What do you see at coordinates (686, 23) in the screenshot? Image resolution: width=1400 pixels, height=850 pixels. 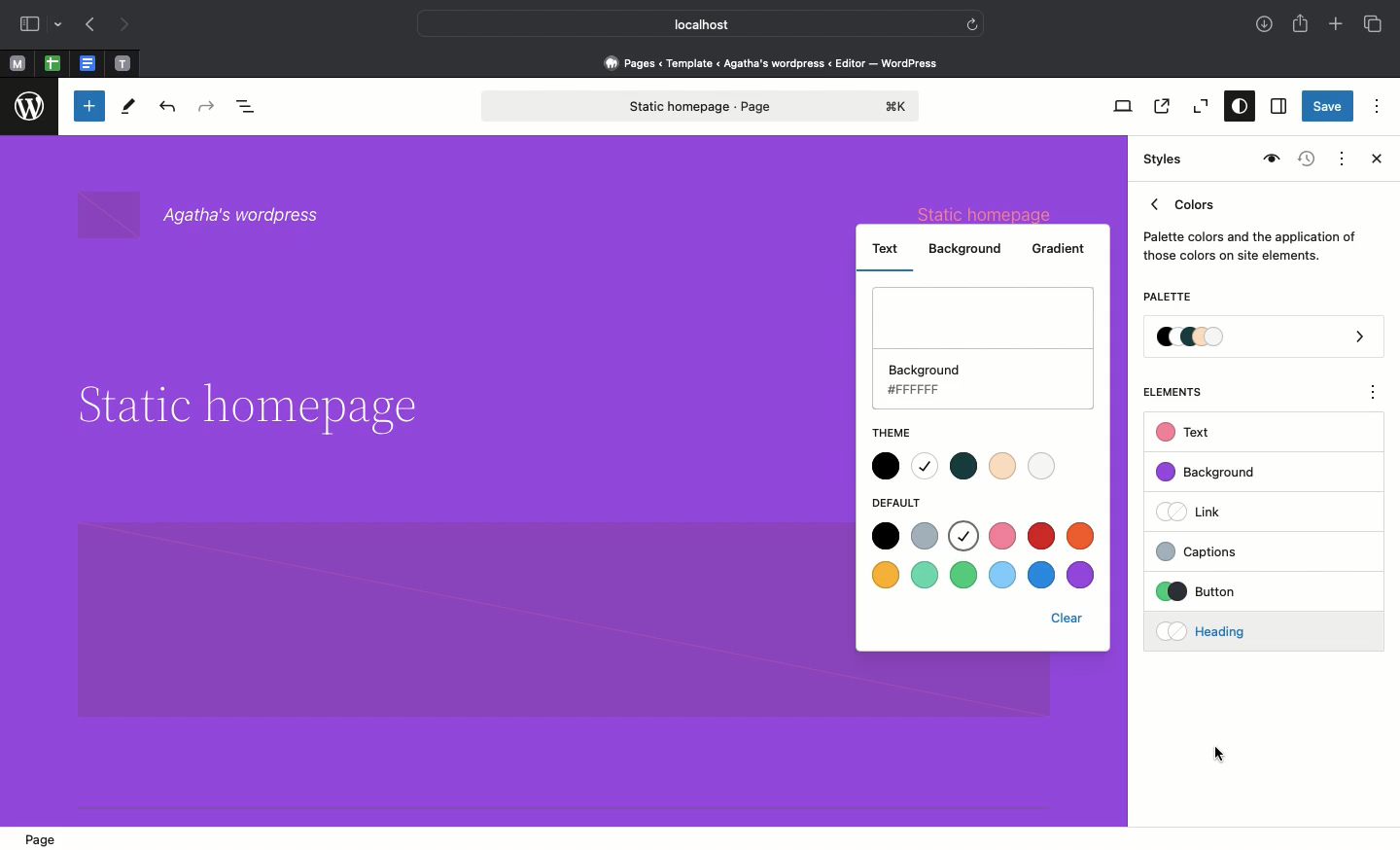 I see `Local host` at bounding box center [686, 23].